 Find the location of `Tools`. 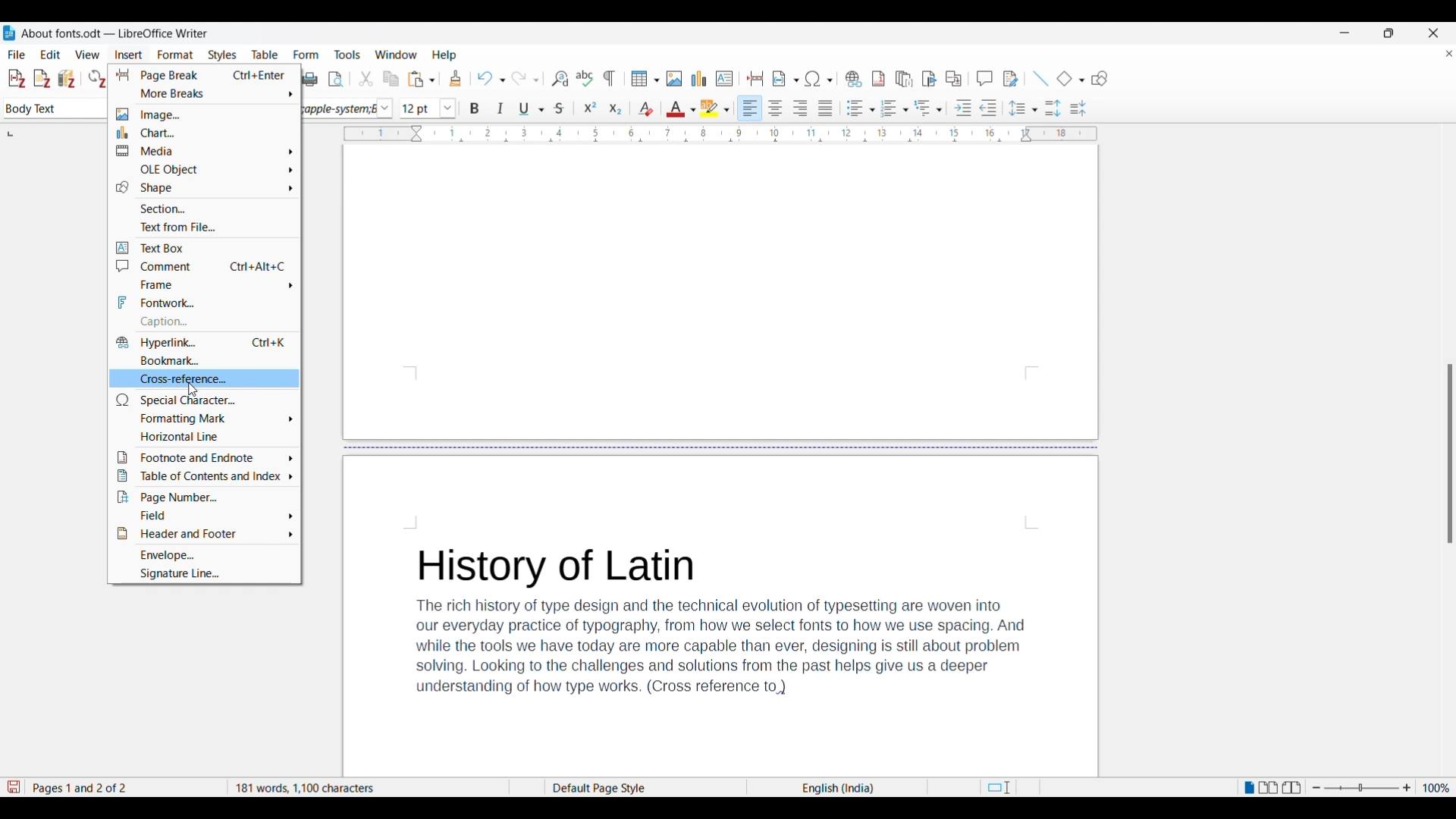

Tools is located at coordinates (350, 55).